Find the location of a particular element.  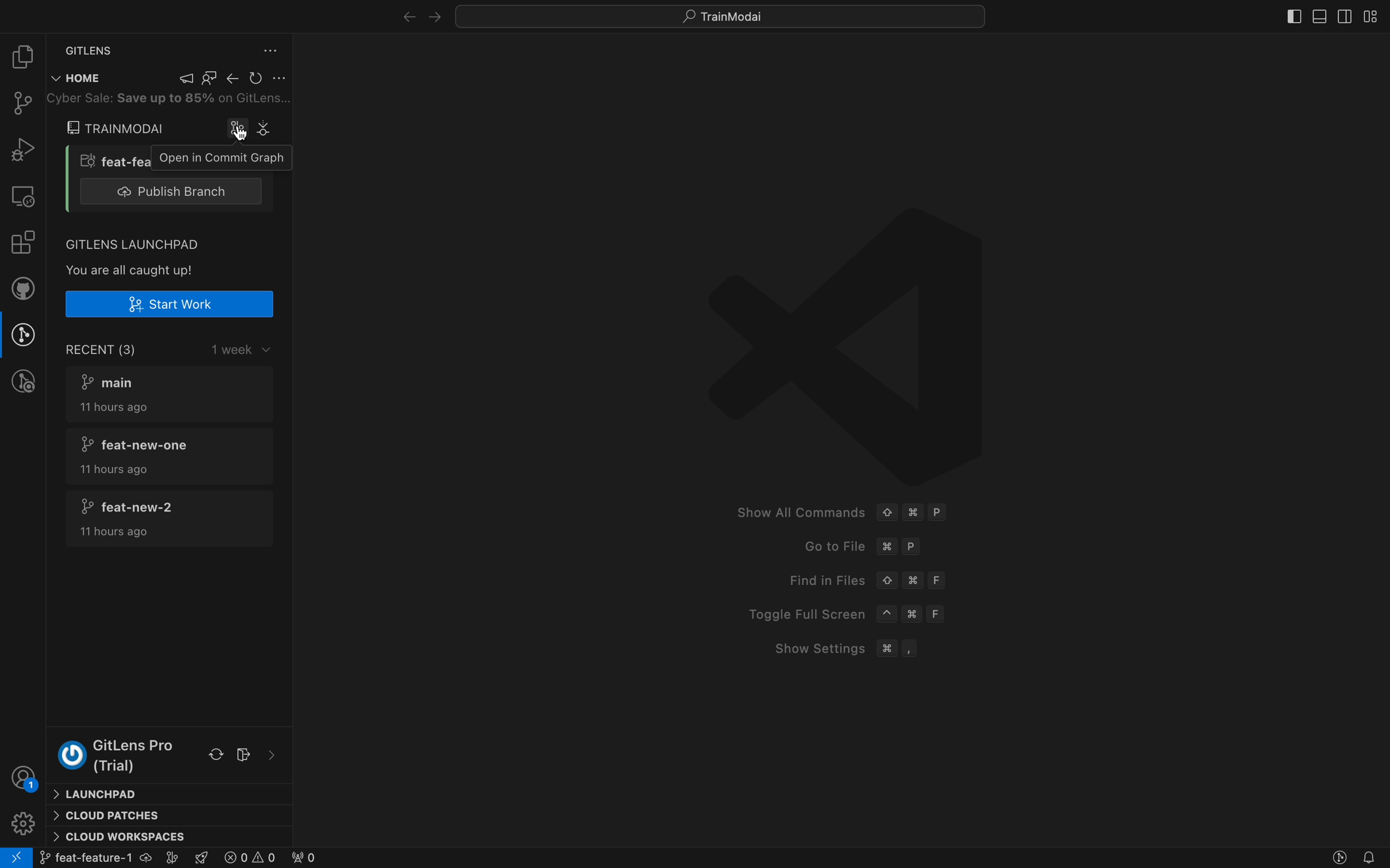

launchpad is located at coordinates (169, 793).